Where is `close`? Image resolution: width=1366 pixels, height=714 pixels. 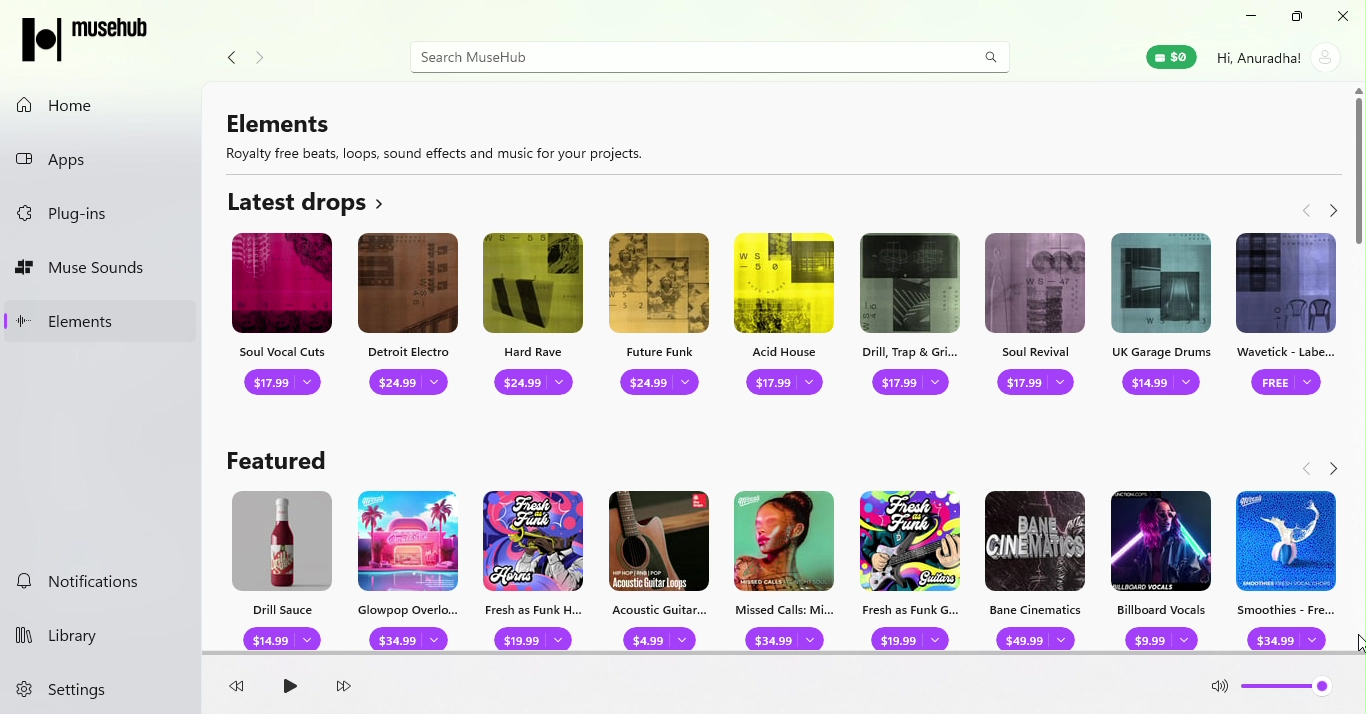
close is located at coordinates (1339, 16).